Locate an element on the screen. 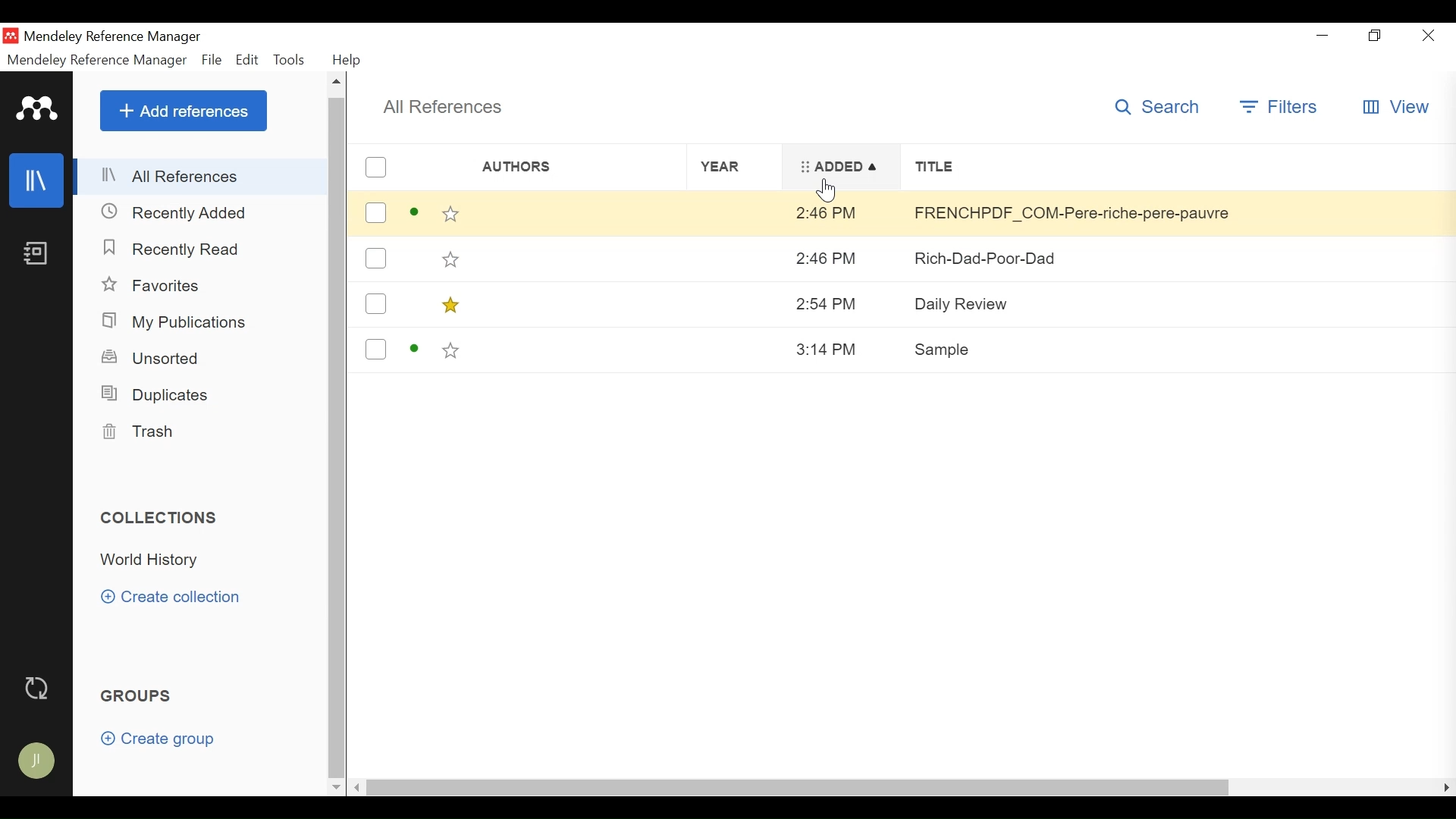 This screenshot has height=819, width=1456. Collections is located at coordinates (160, 517).